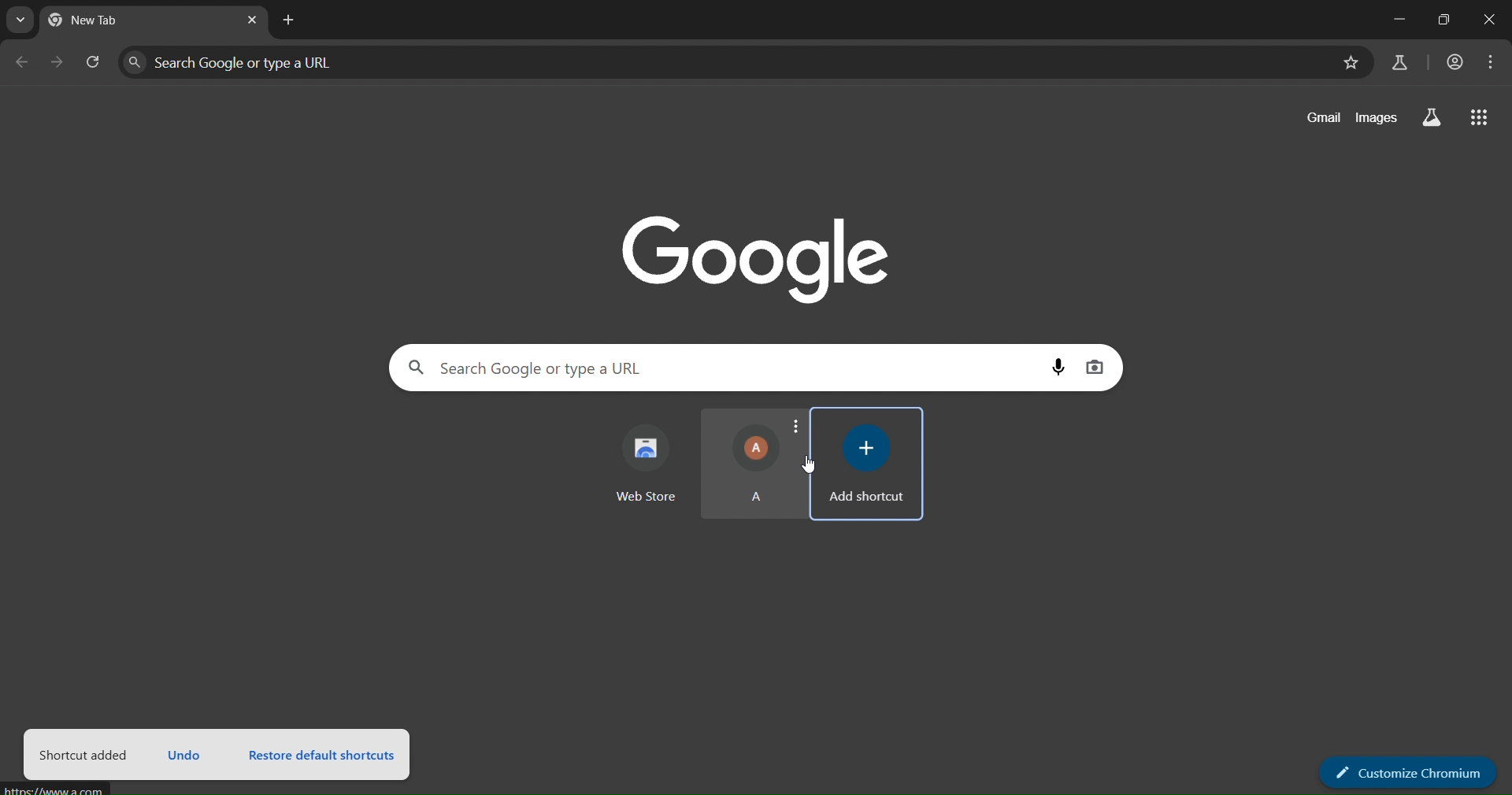 The image size is (1512, 795). I want to click on search labs , so click(1428, 117).